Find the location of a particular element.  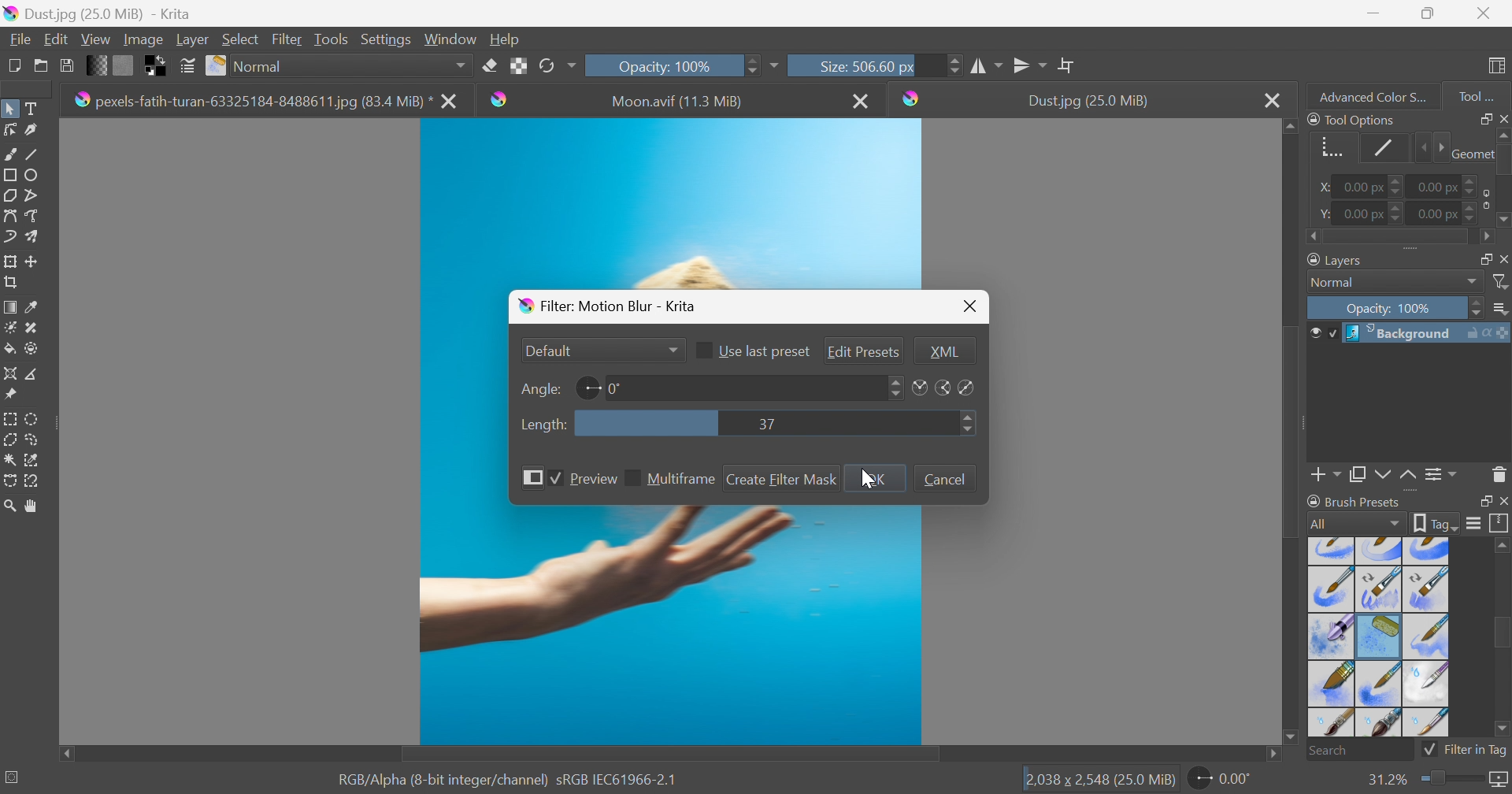

Slider is located at coordinates (750, 64).